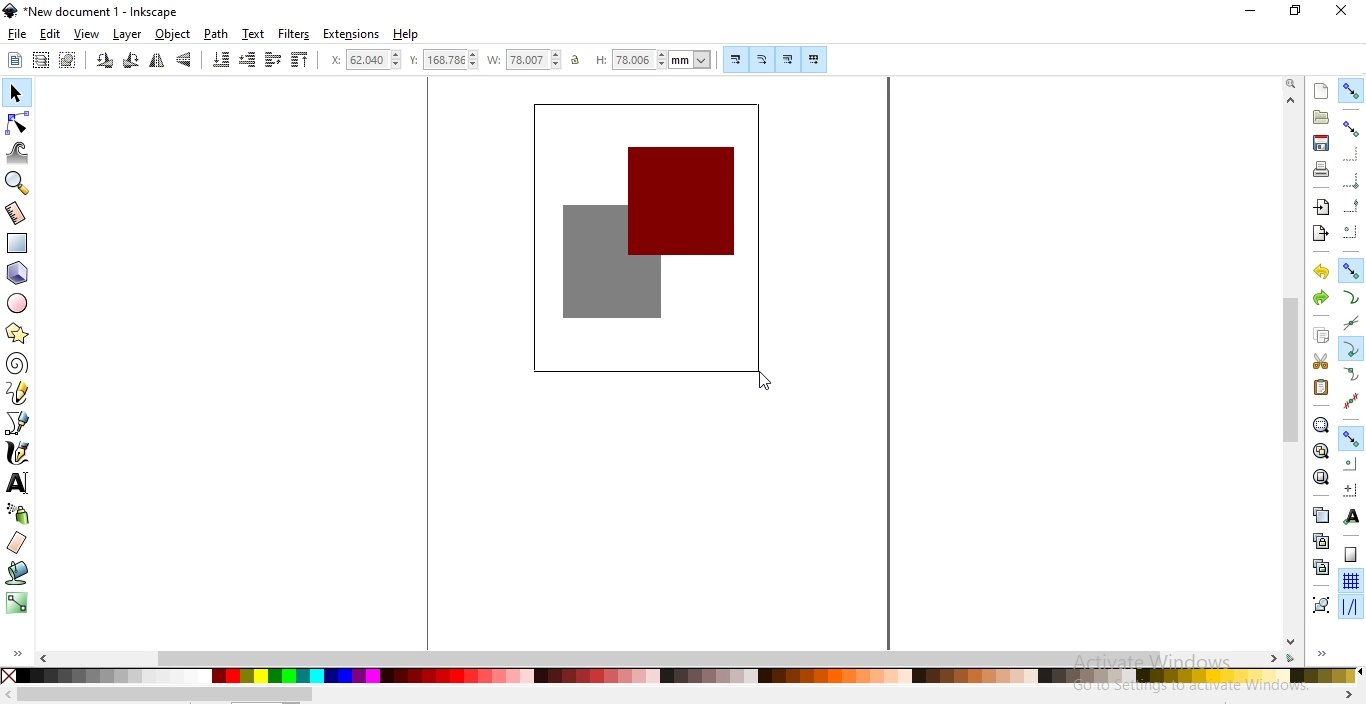 This screenshot has width=1366, height=704. What do you see at coordinates (1350, 154) in the screenshot?
I see `snap bounding box corners` at bounding box center [1350, 154].